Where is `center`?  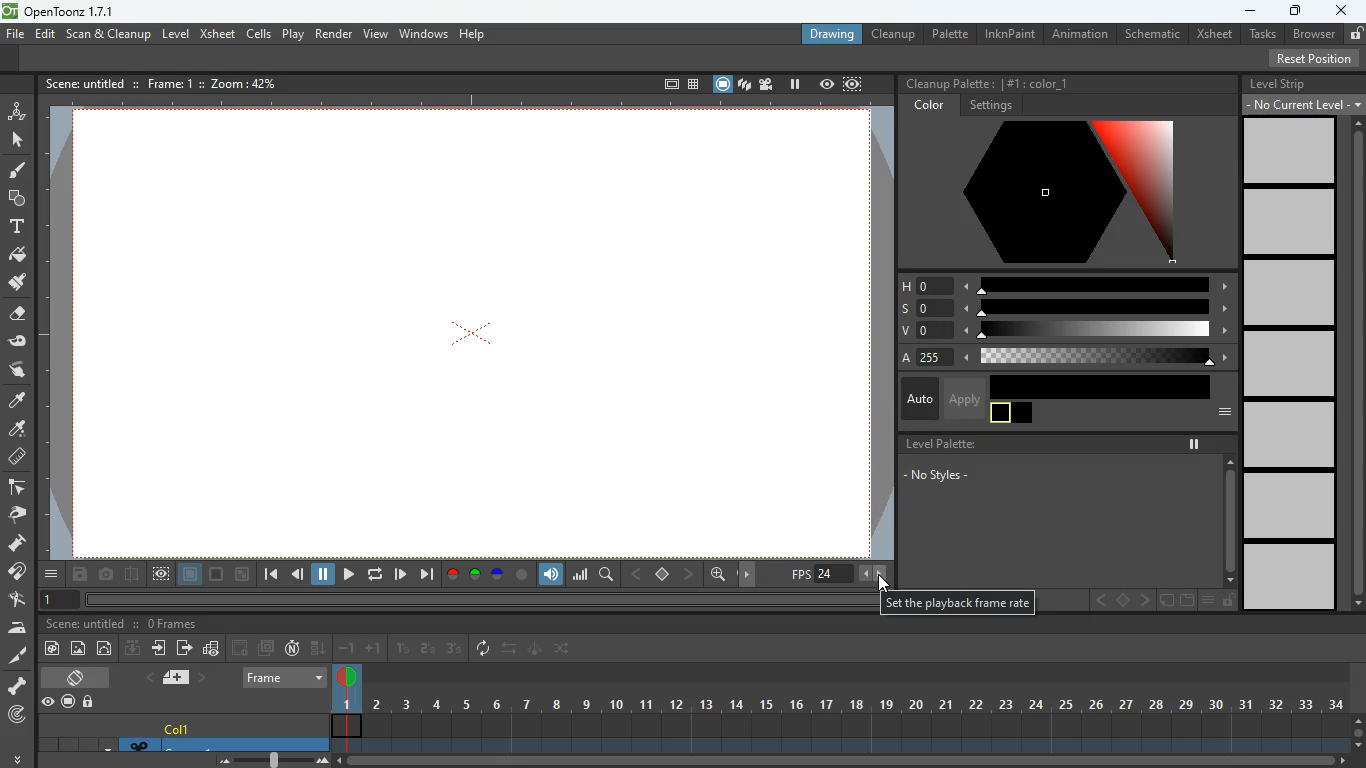
center is located at coordinates (1120, 600).